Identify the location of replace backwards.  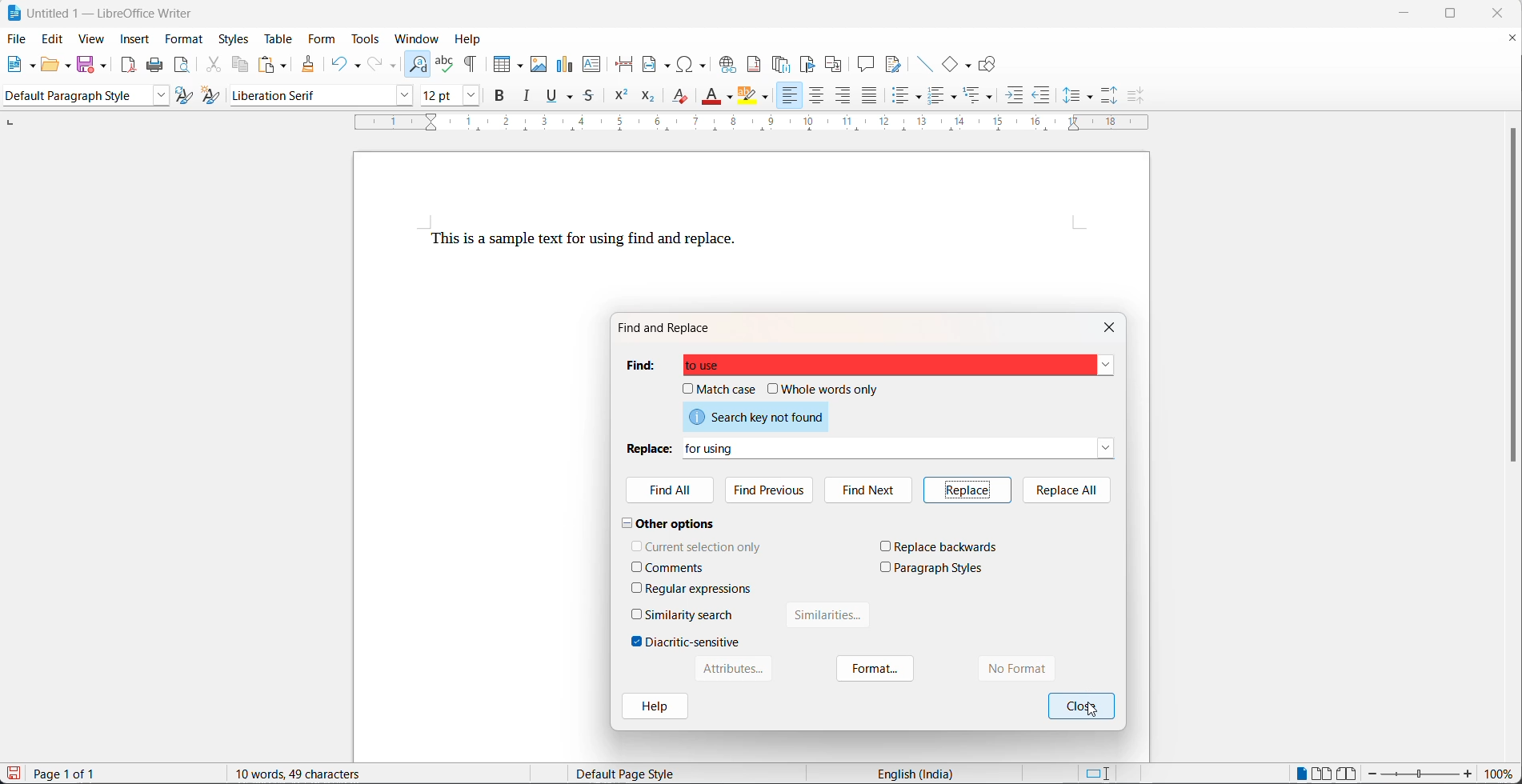
(947, 546).